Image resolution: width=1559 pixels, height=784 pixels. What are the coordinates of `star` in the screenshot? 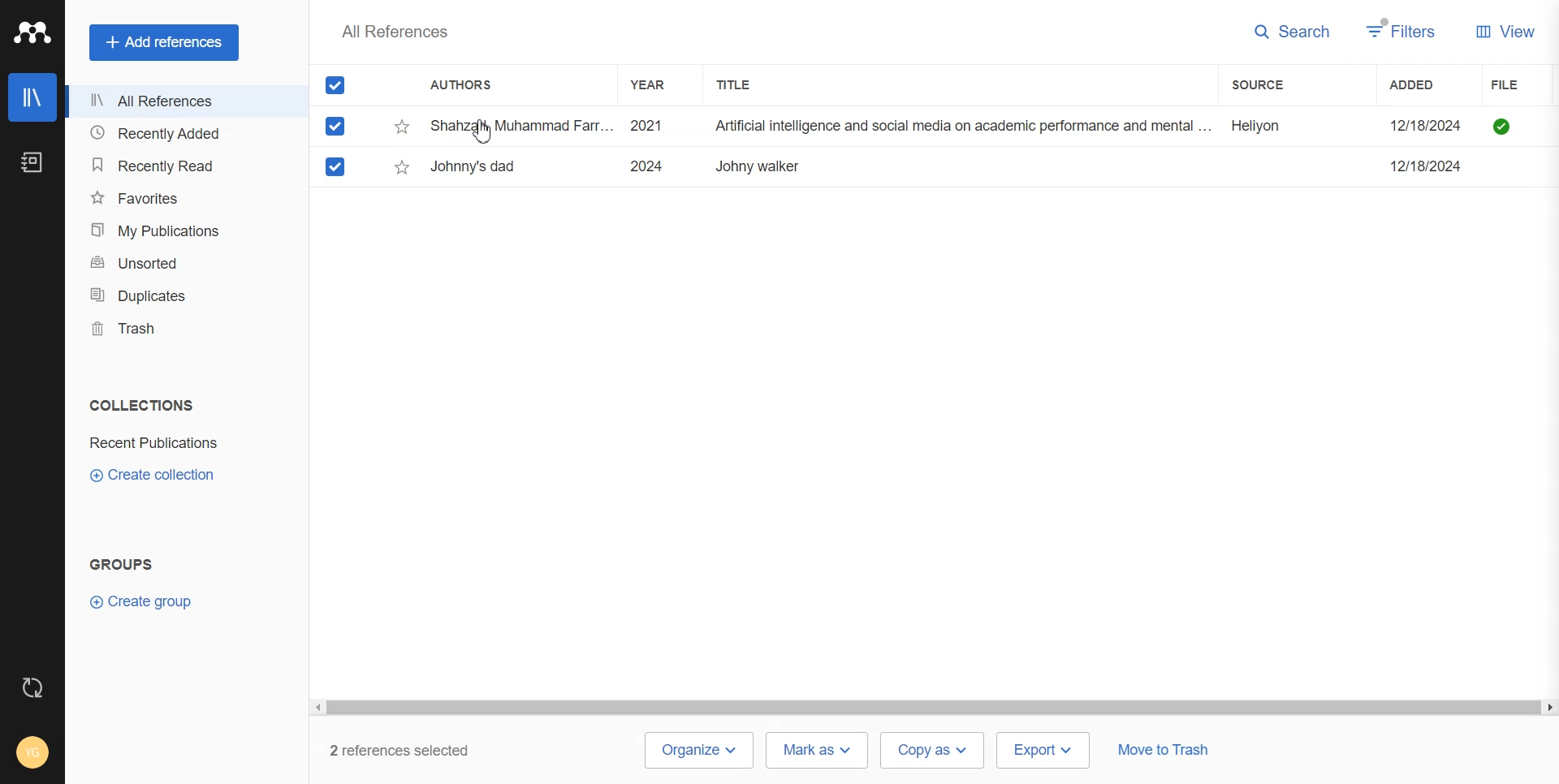 It's located at (403, 127).